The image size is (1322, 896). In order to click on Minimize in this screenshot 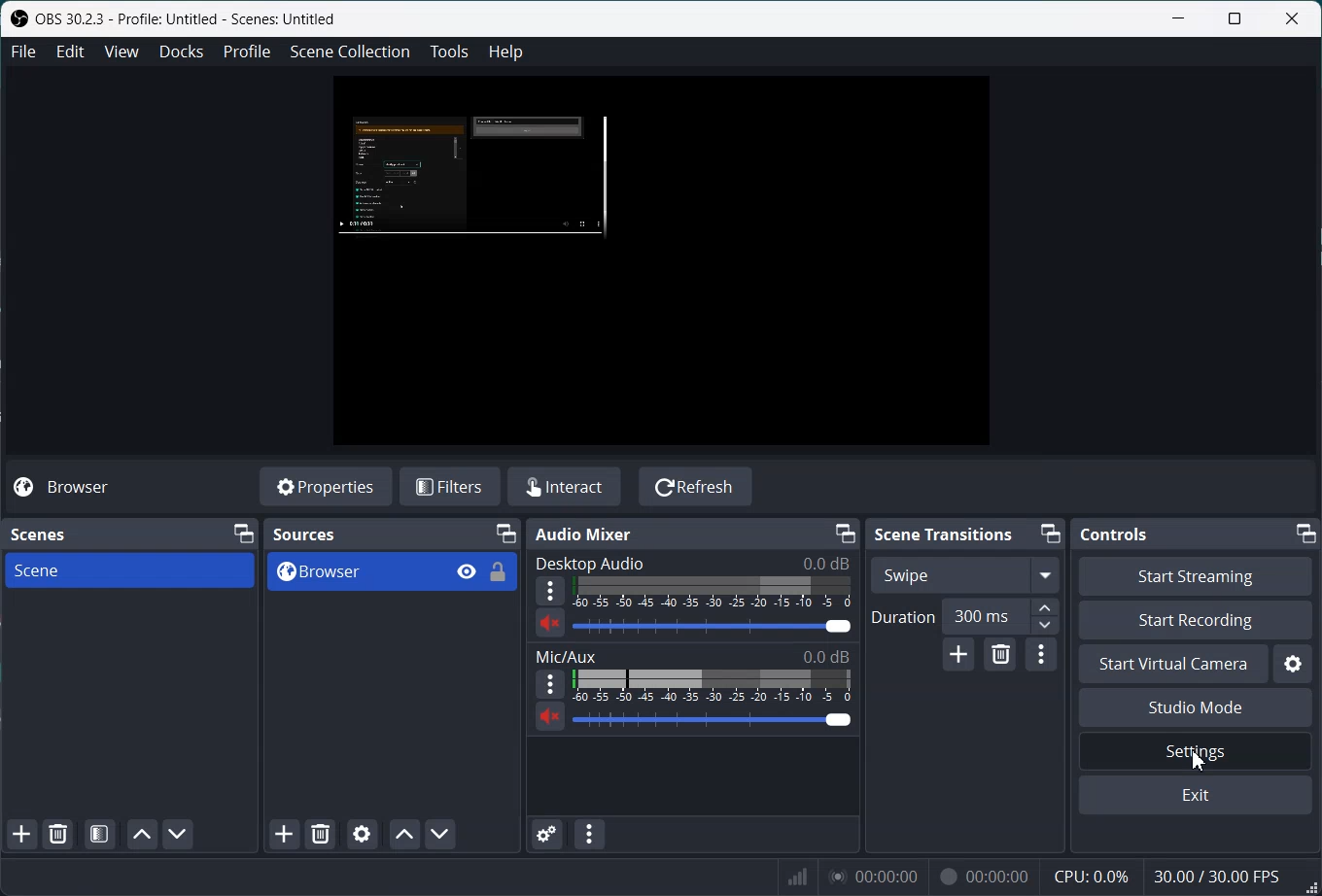, I will do `click(1052, 534)`.